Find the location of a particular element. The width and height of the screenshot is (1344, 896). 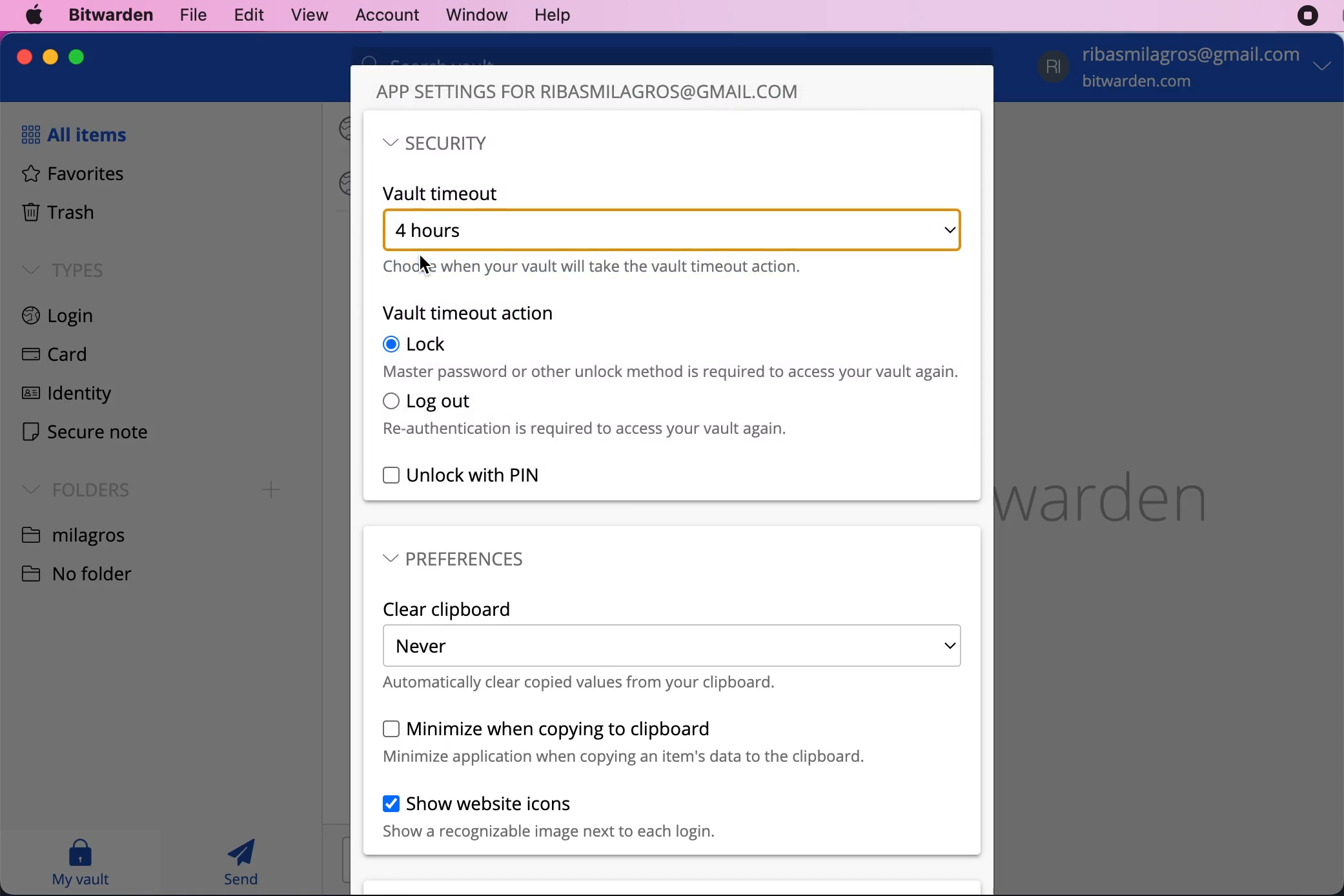

card is located at coordinates (50, 356).